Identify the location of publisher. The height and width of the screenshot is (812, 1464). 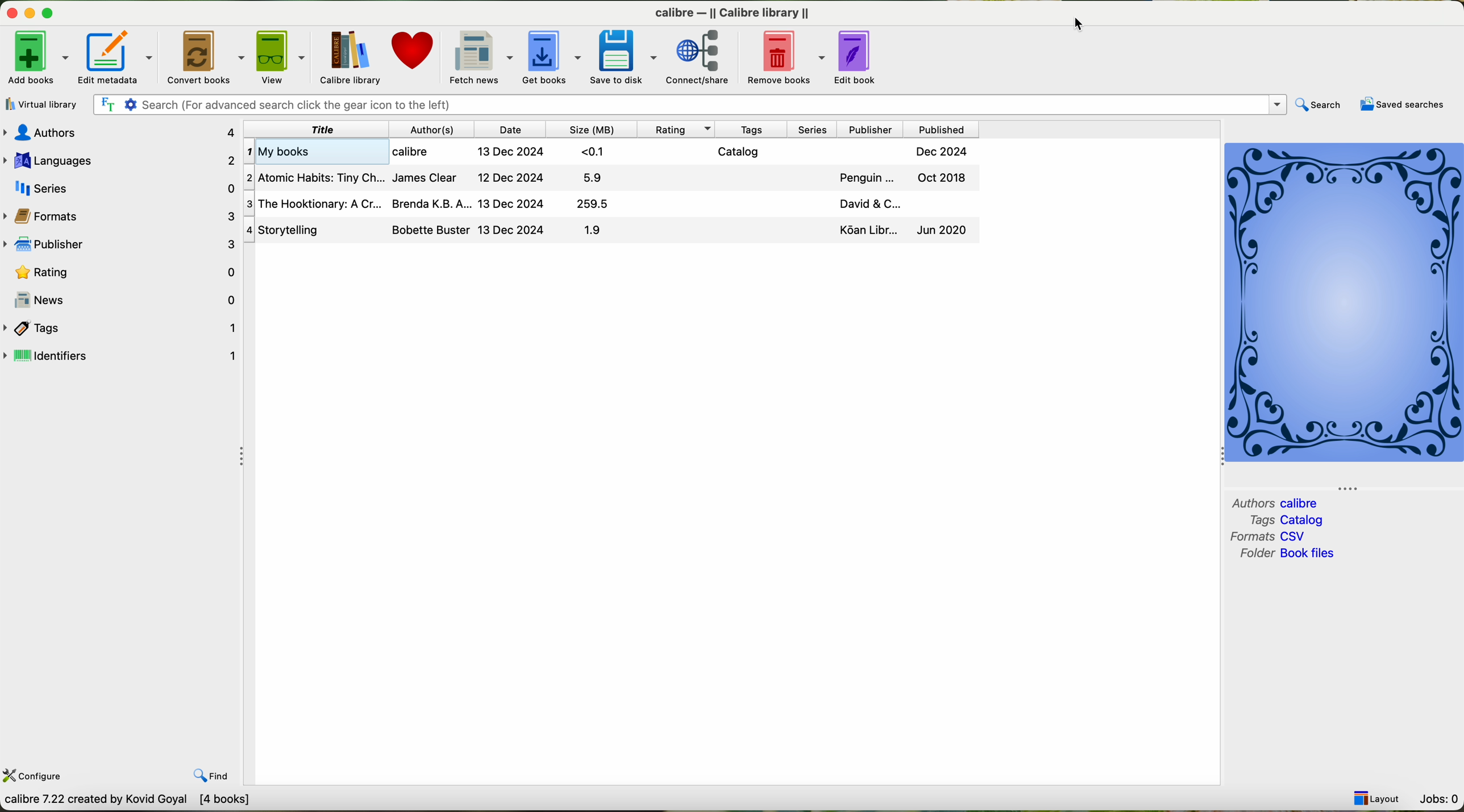
(870, 130).